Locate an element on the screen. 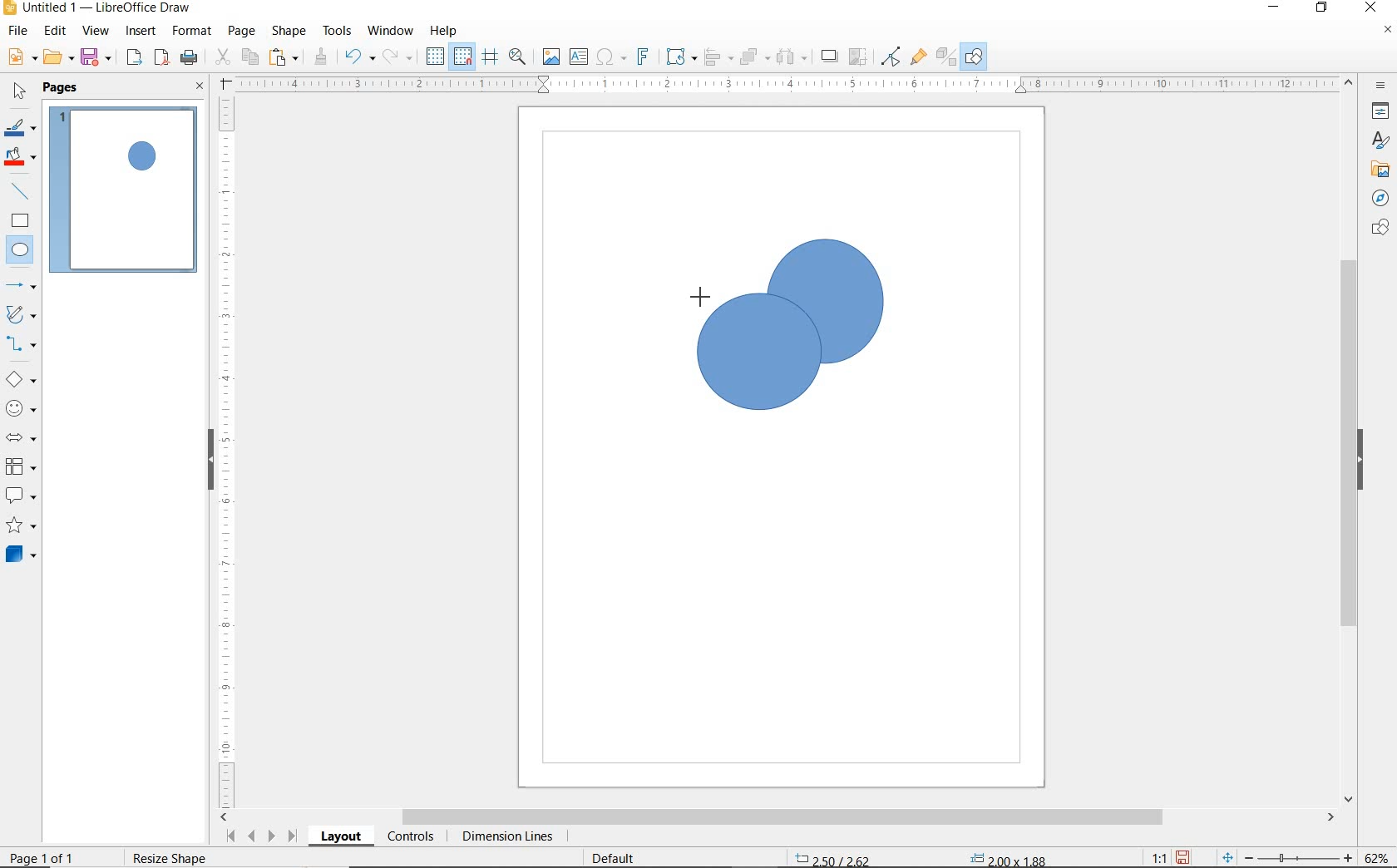 The height and width of the screenshot is (868, 1397). INSERT TEXT BOX is located at coordinates (580, 57).